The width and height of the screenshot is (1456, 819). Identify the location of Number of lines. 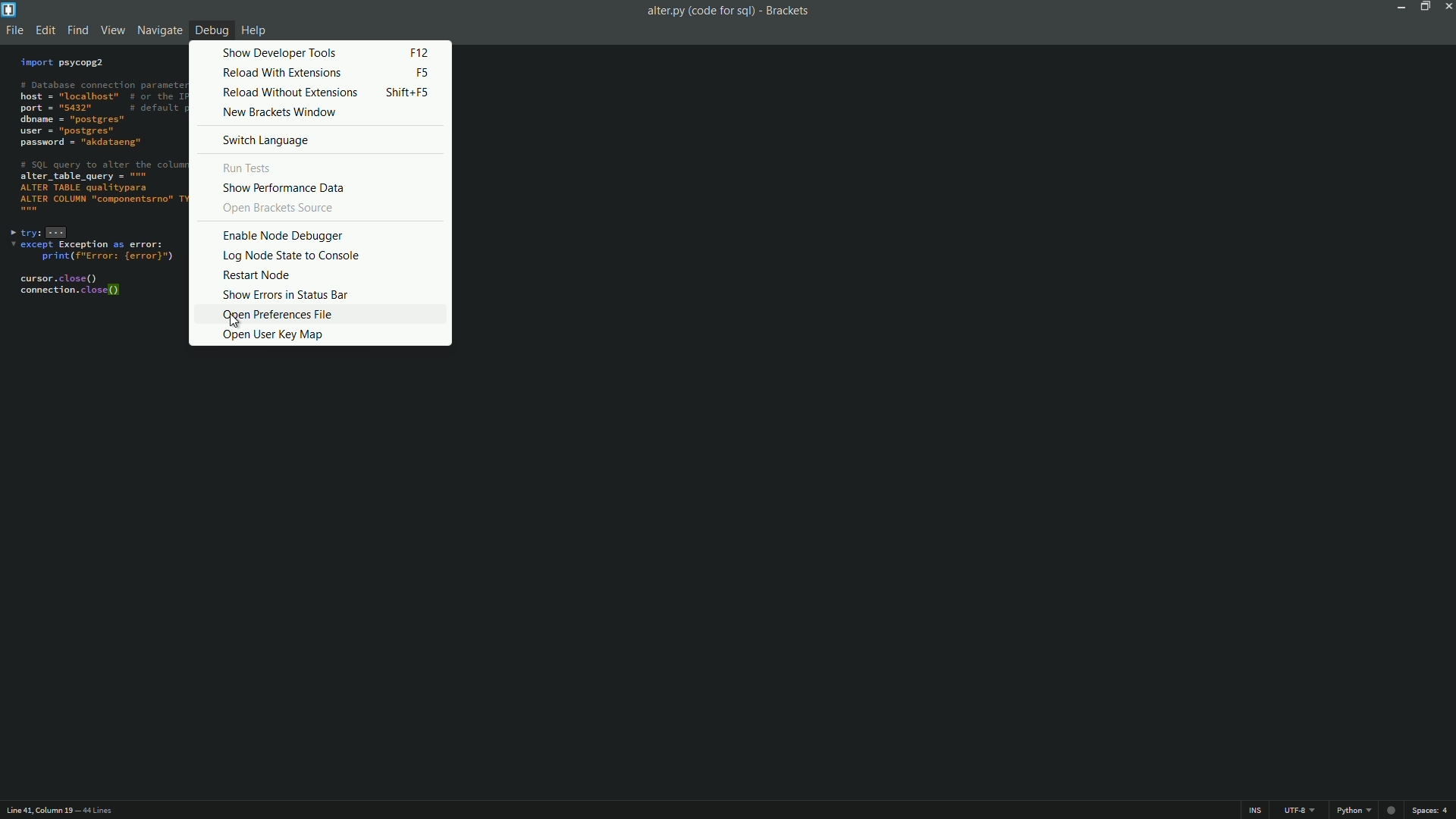
(101, 810).